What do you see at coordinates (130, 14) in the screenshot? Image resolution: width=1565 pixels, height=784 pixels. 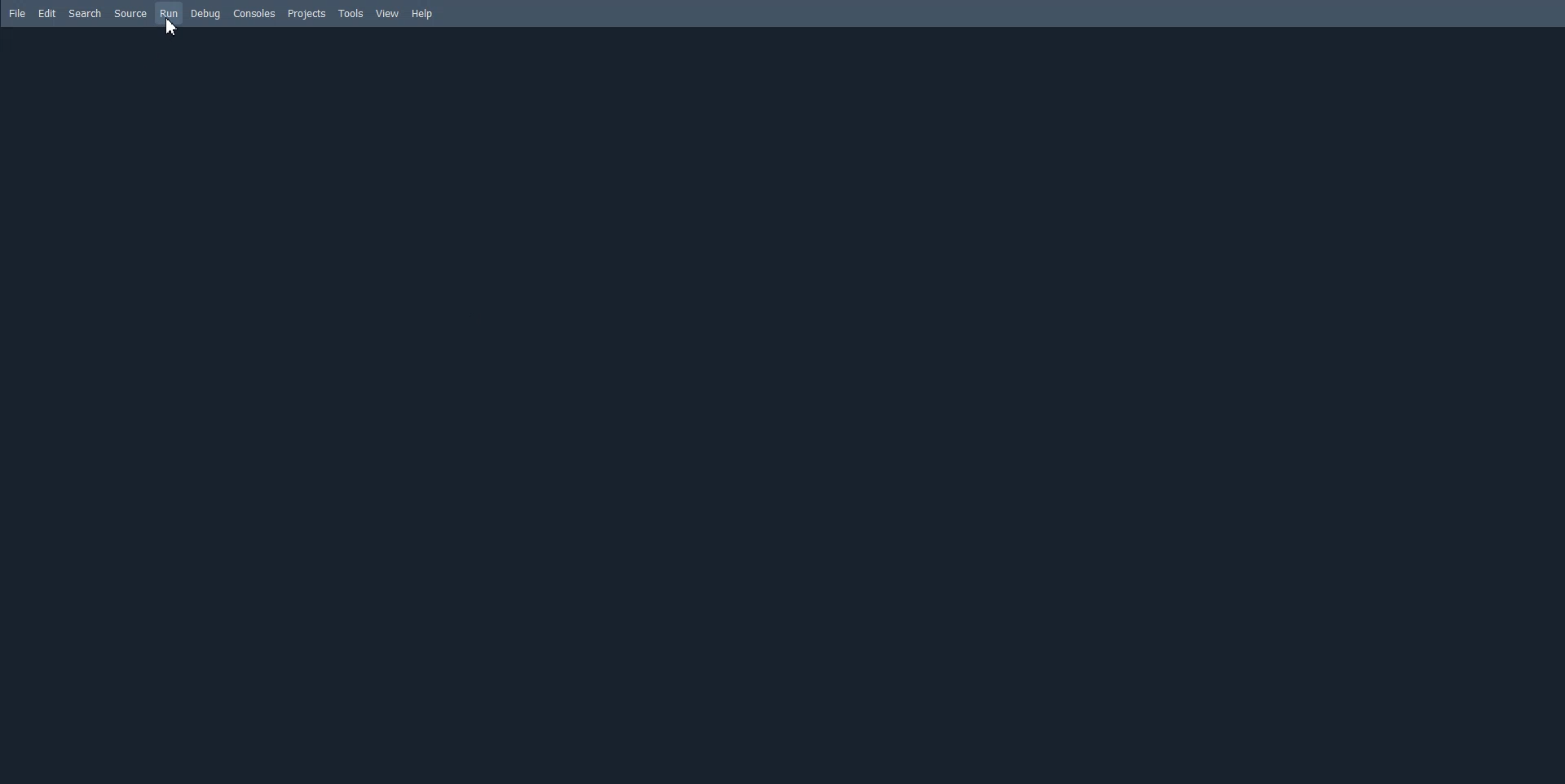 I see `Source` at bounding box center [130, 14].